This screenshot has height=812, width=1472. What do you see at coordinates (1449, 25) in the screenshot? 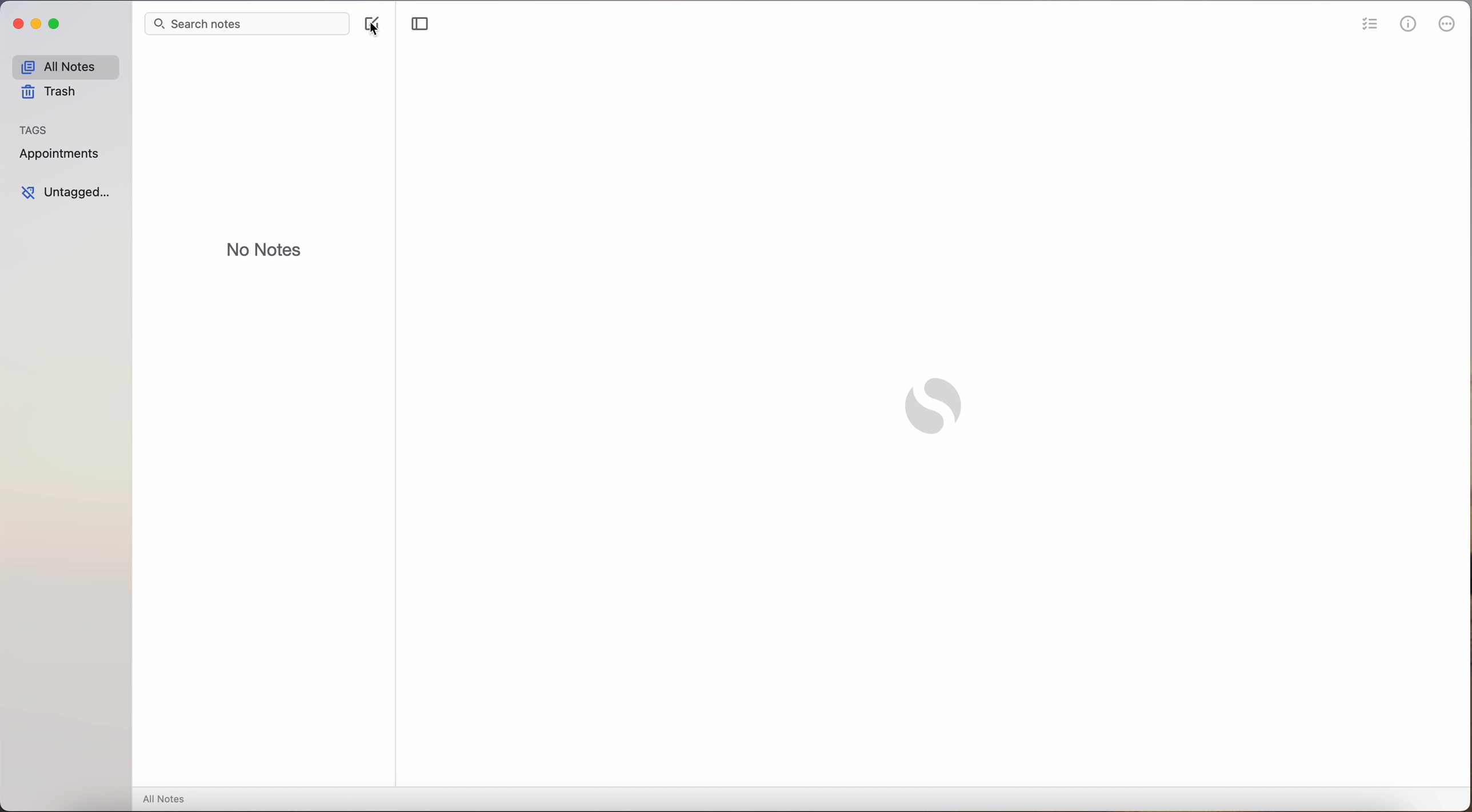
I see `more options` at bounding box center [1449, 25].